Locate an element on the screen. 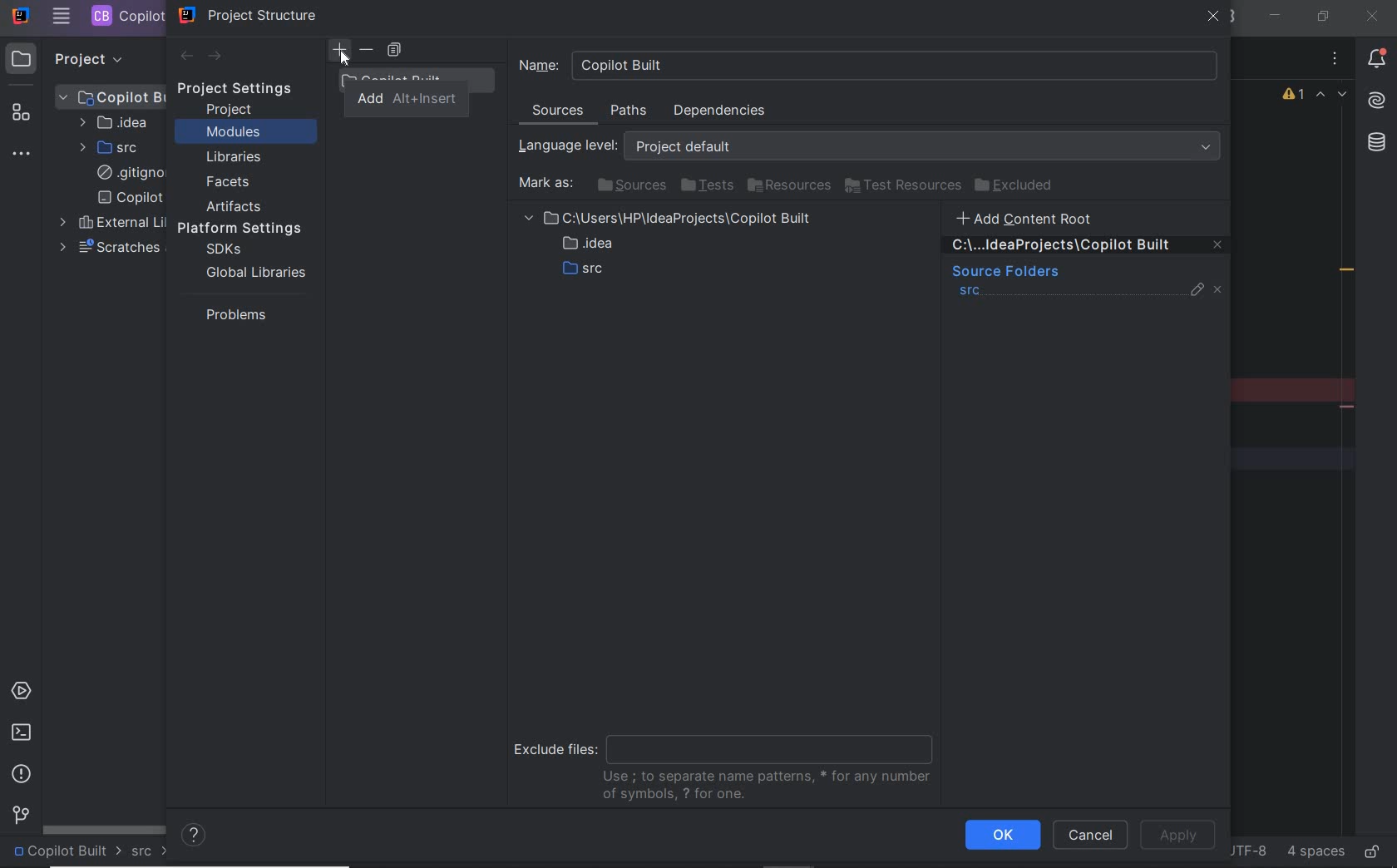  indent is located at coordinates (1314, 852).